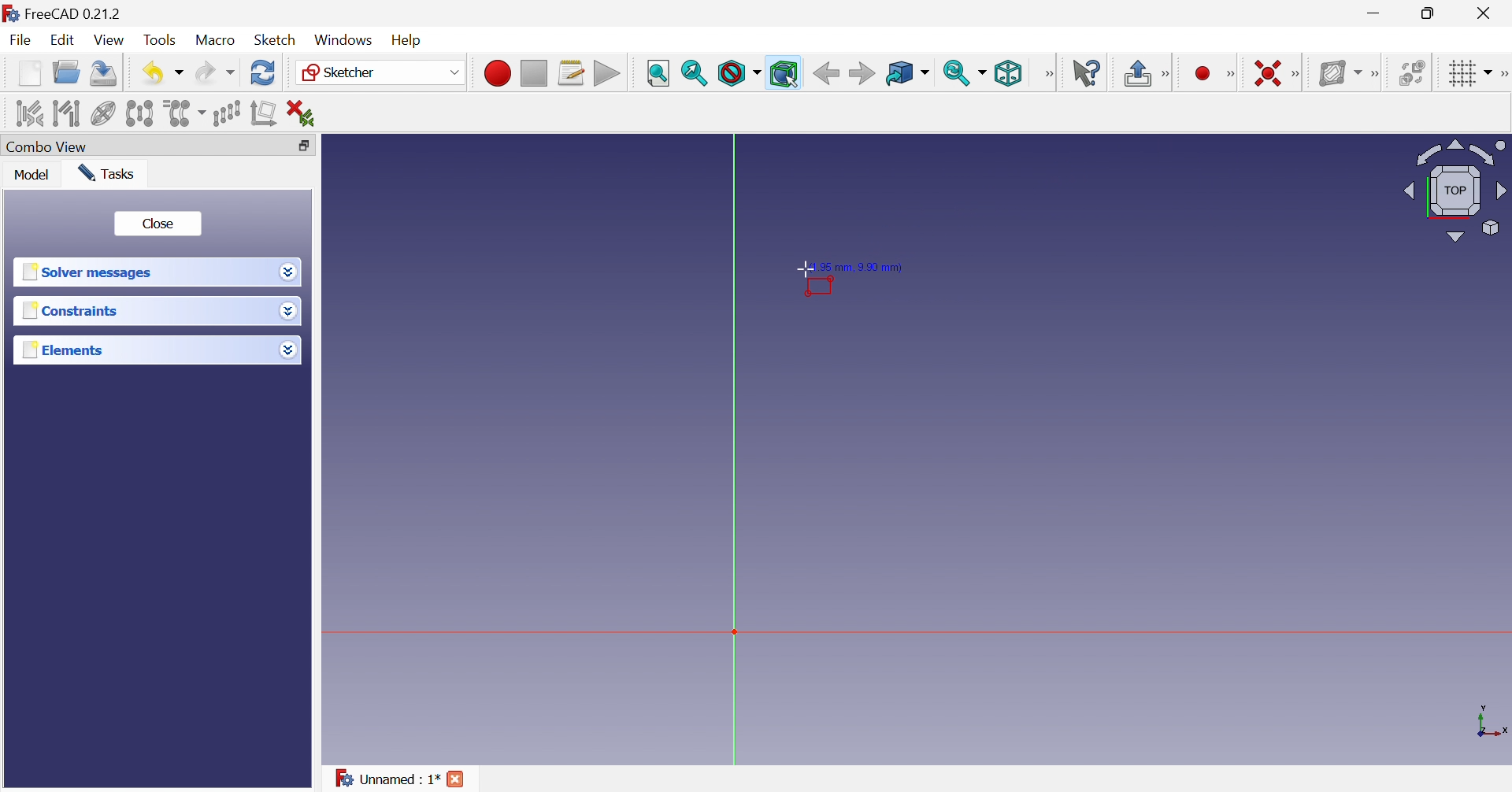  What do you see at coordinates (857, 268) in the screenshot?
I see `1.95 mm, 9.90 mm)` at bounding box center [857, 268].